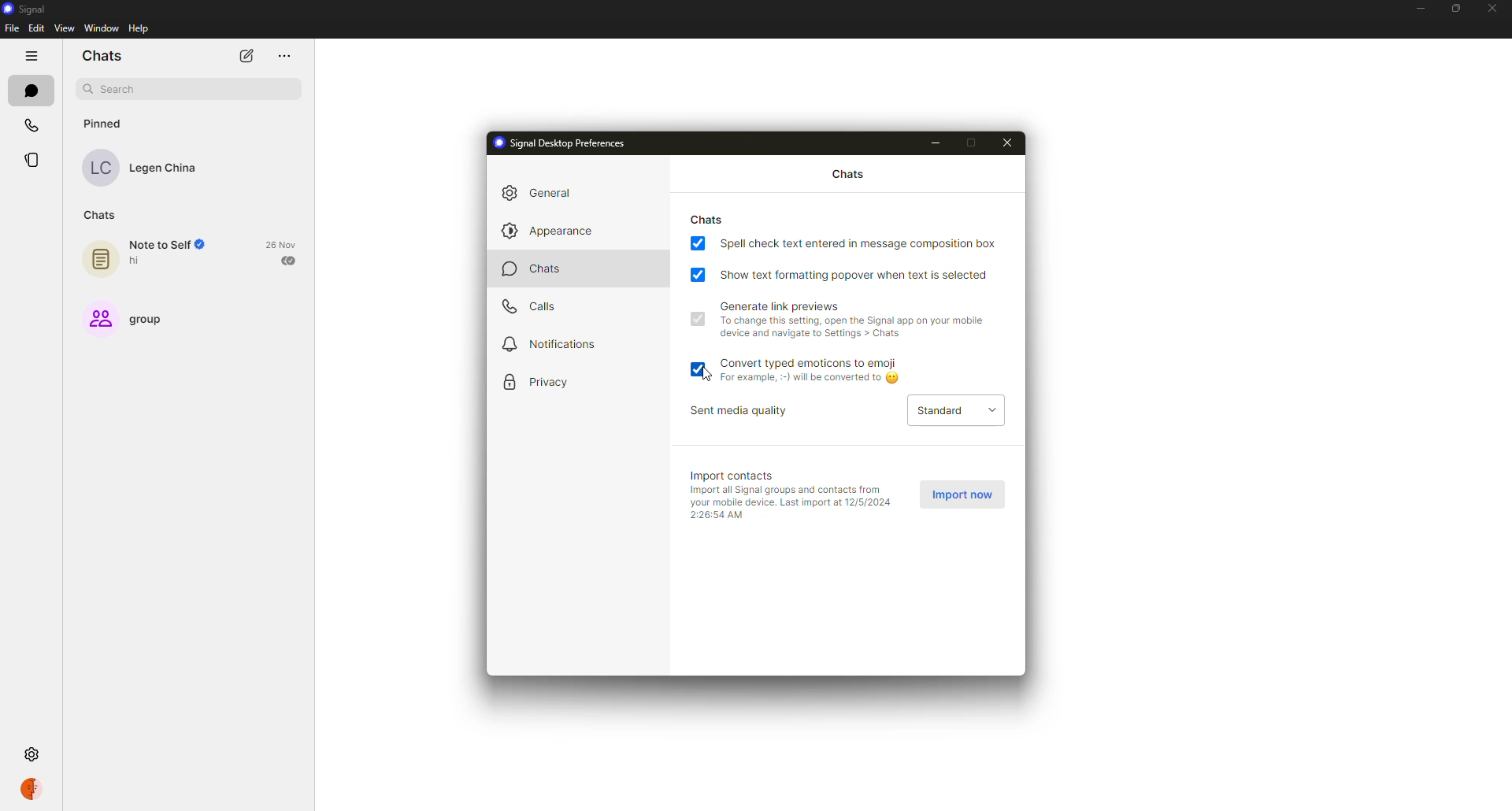  What do you see at coordinates (542, 192) in the screenshot?
I see `general` at bounding box center [542, 192].